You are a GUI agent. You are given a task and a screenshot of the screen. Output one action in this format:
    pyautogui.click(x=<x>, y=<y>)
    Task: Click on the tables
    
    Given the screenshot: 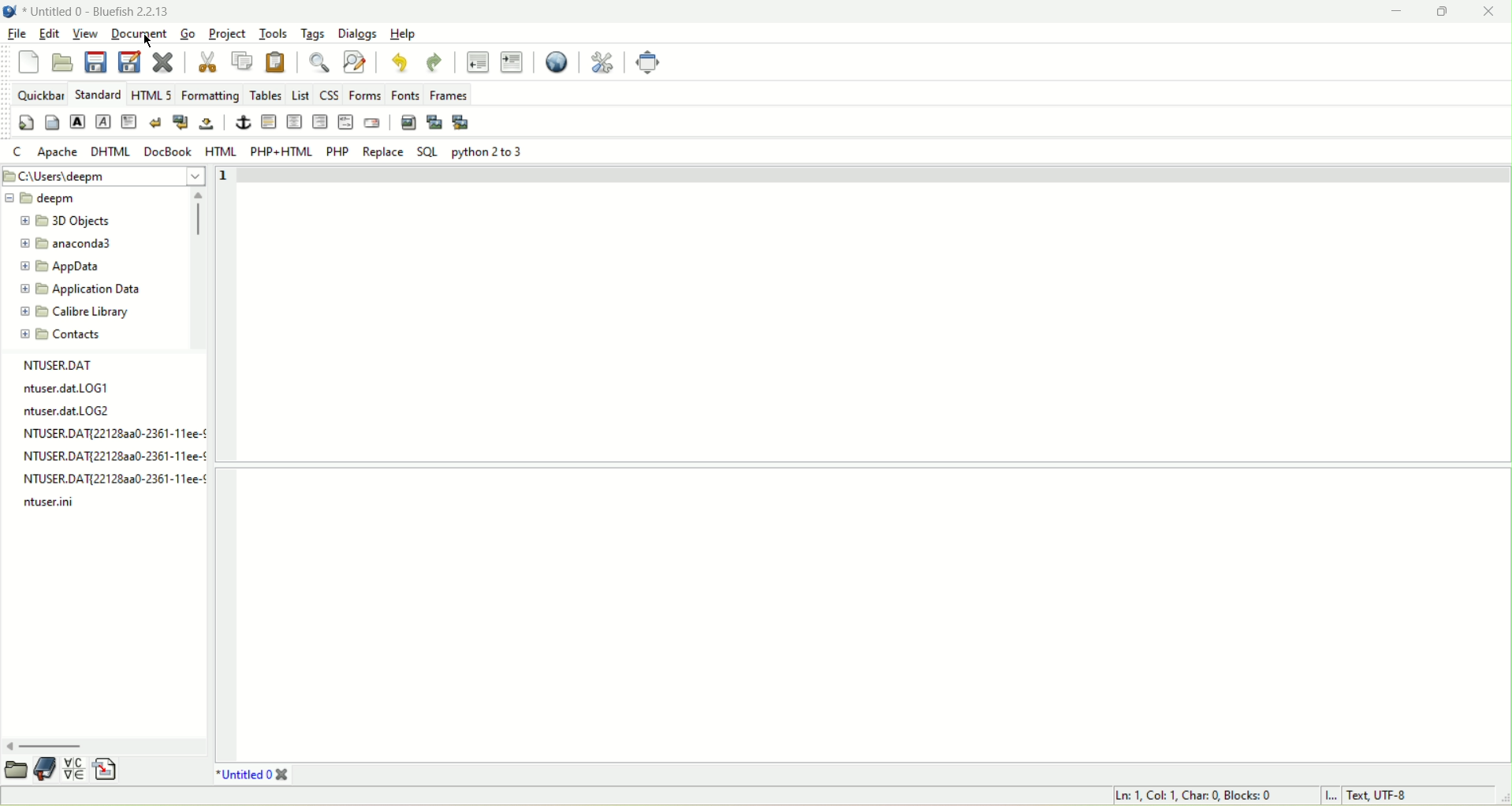 What is the action you would take?
    pyautogui.click(x=267, y=95)
    